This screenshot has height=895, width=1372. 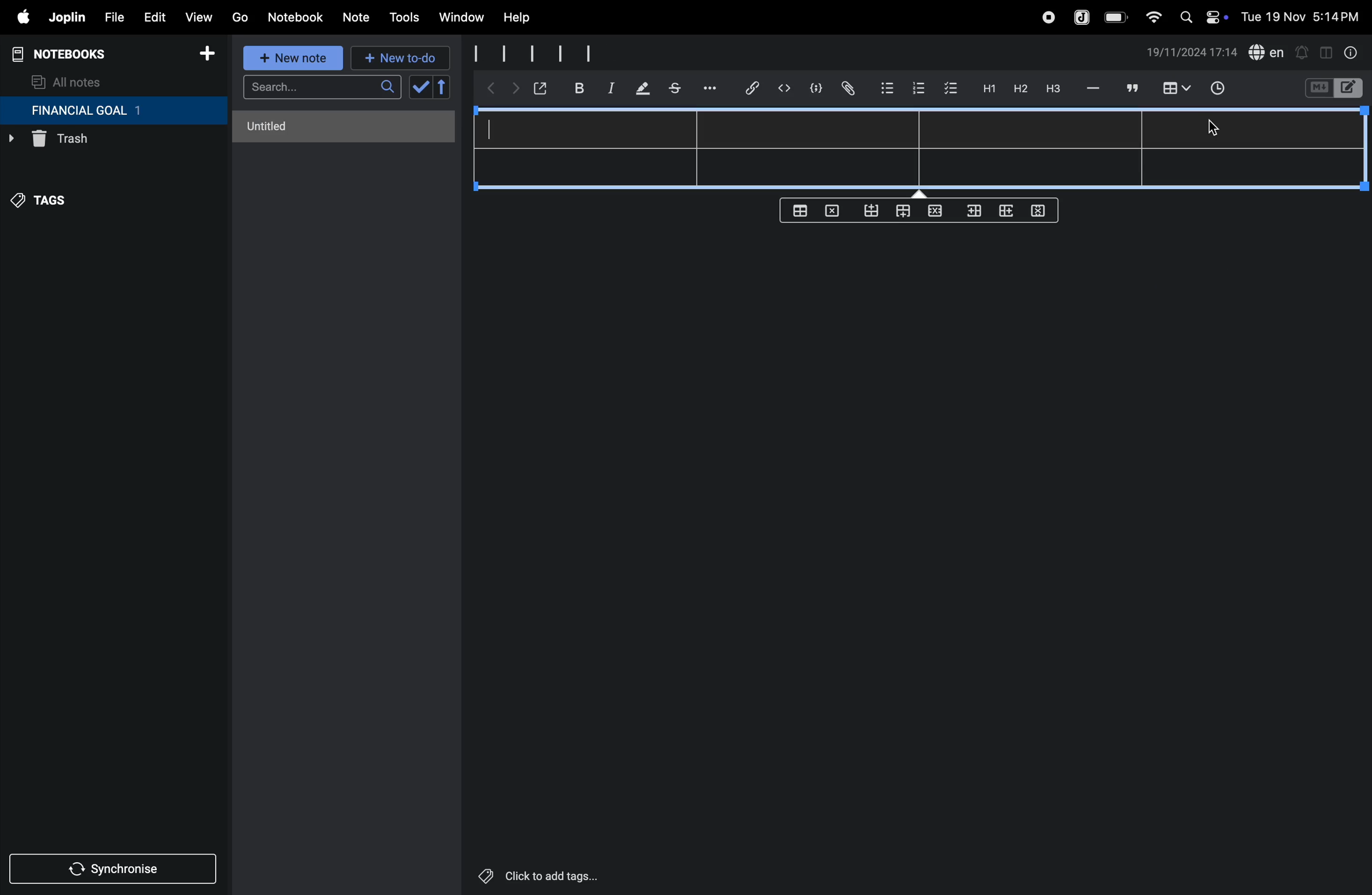 I want to click on insert table, so click(x=1174, y=89).